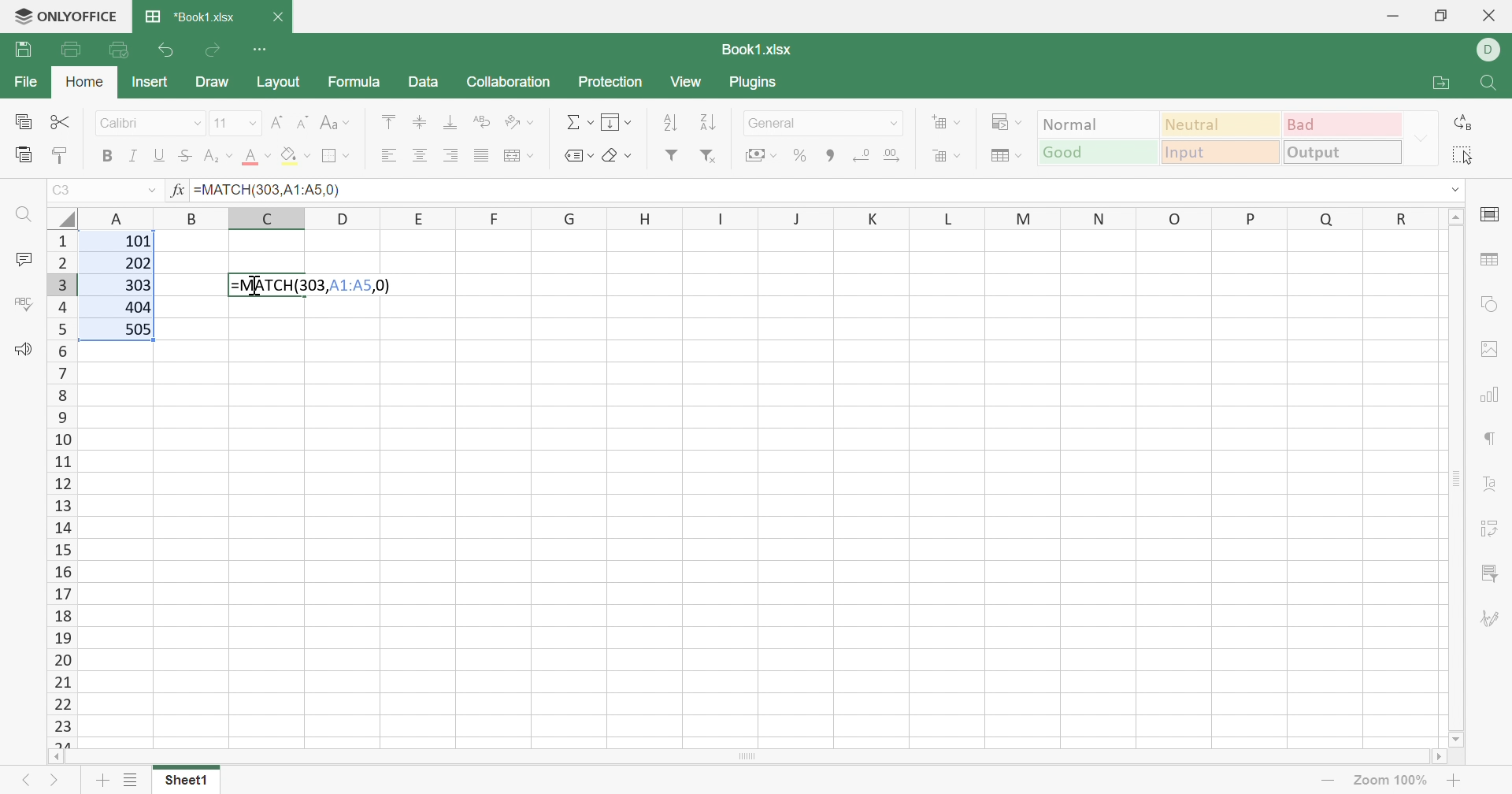 Image resolution: width=1512 pixels, height=794 pixels. Describe the element at coordinates (102, 781) in the screenshot. I see `Add sheet` at that location.